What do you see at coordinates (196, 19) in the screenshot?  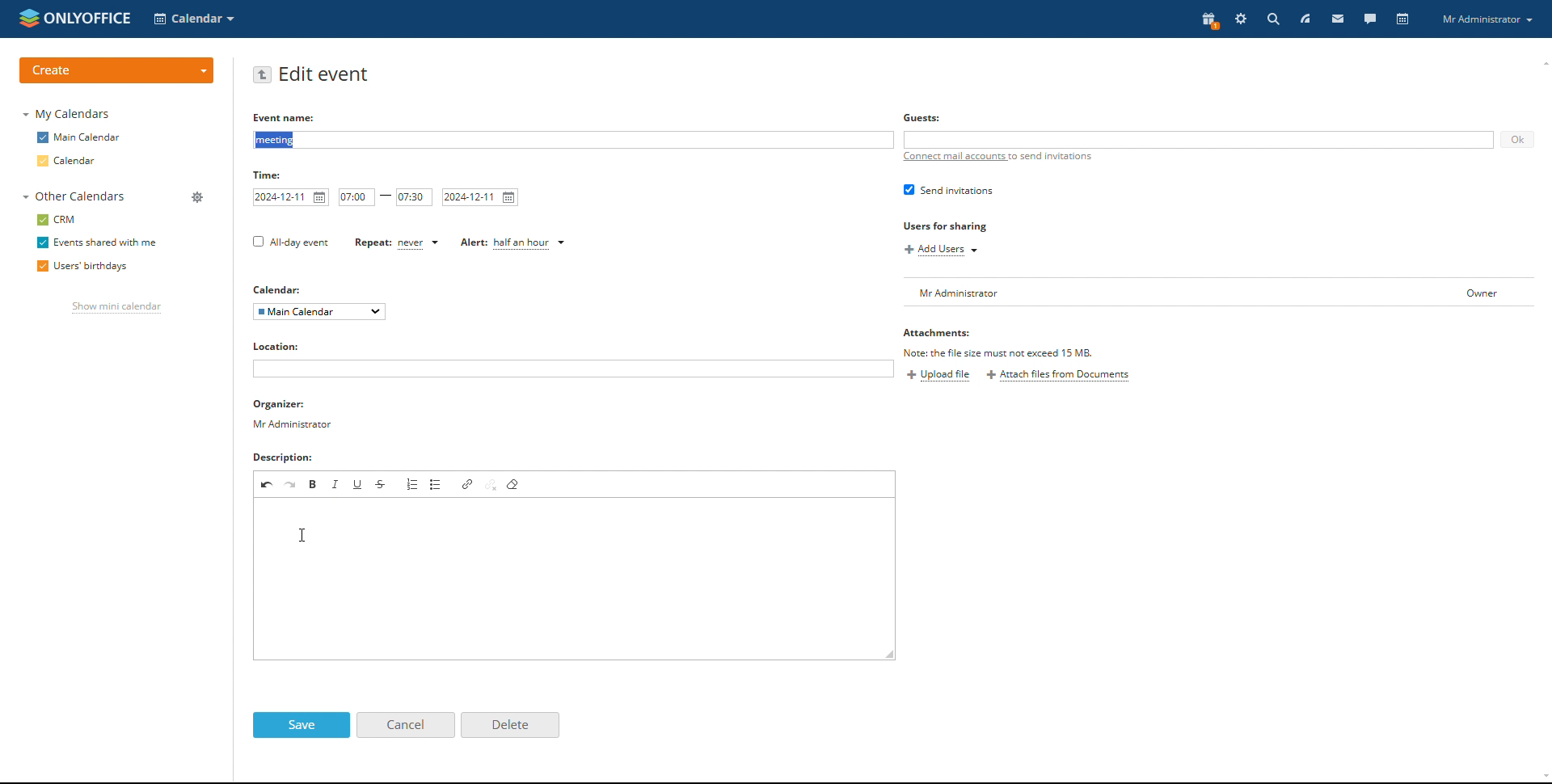 I see `select application` at bounding box center [196, 19].